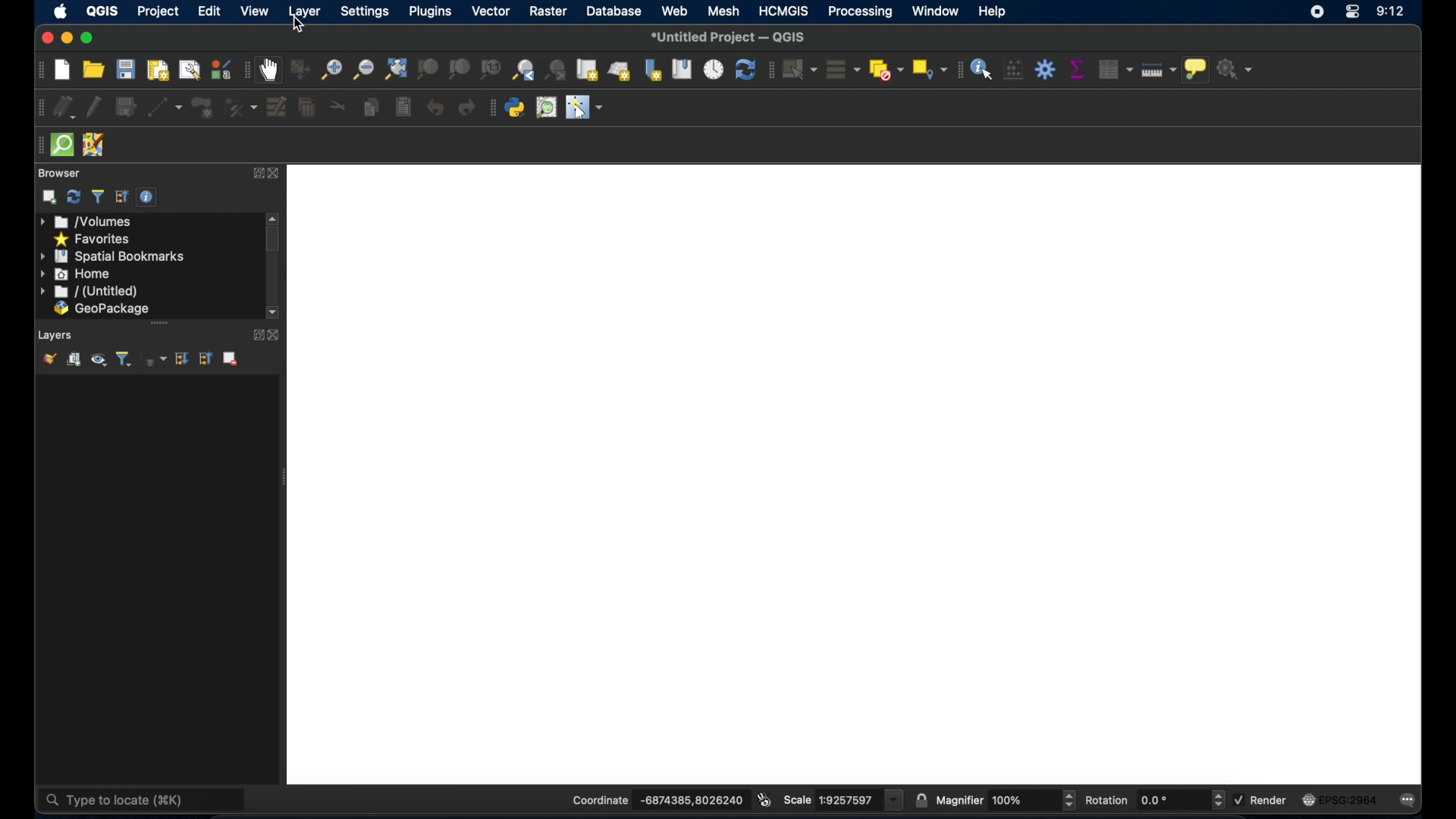  What do you see at coordinates (764, 799) in the screenshot?
I see `toggle extents and mouse display position` at bounding box center [764, 799].